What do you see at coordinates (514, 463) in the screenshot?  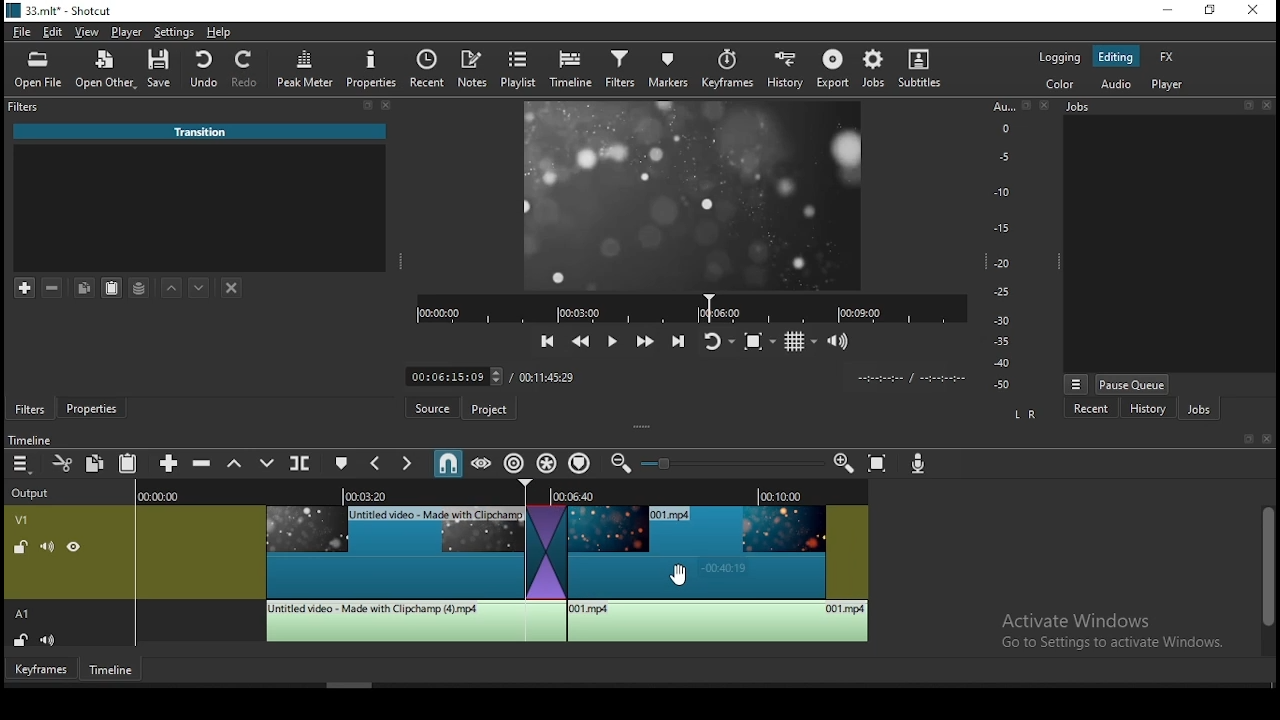 I see `ripple` at bounding box center [514, 463].